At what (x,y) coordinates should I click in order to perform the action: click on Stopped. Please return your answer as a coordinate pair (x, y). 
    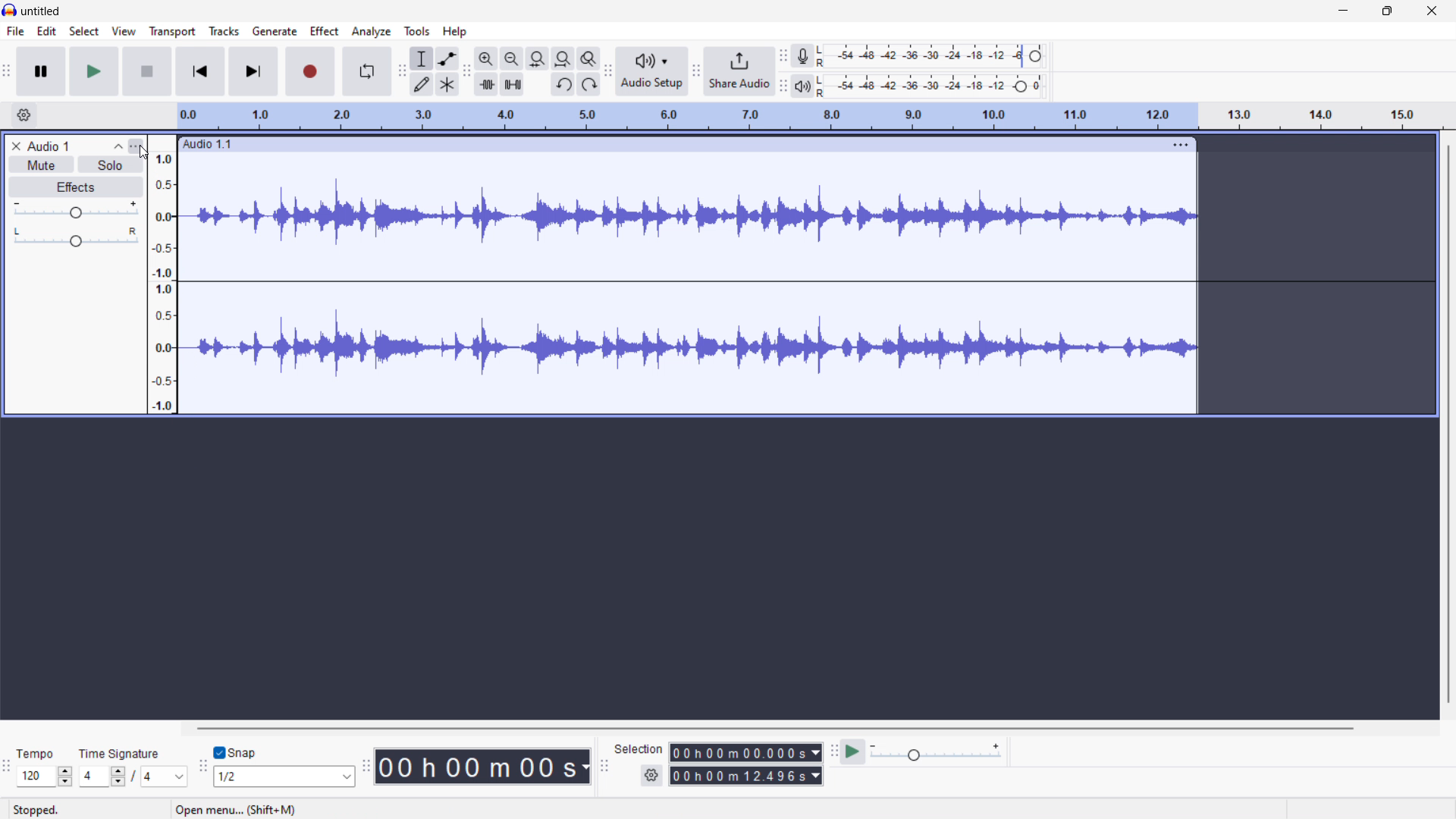
    Looking at the image, I should click on (38, 810).